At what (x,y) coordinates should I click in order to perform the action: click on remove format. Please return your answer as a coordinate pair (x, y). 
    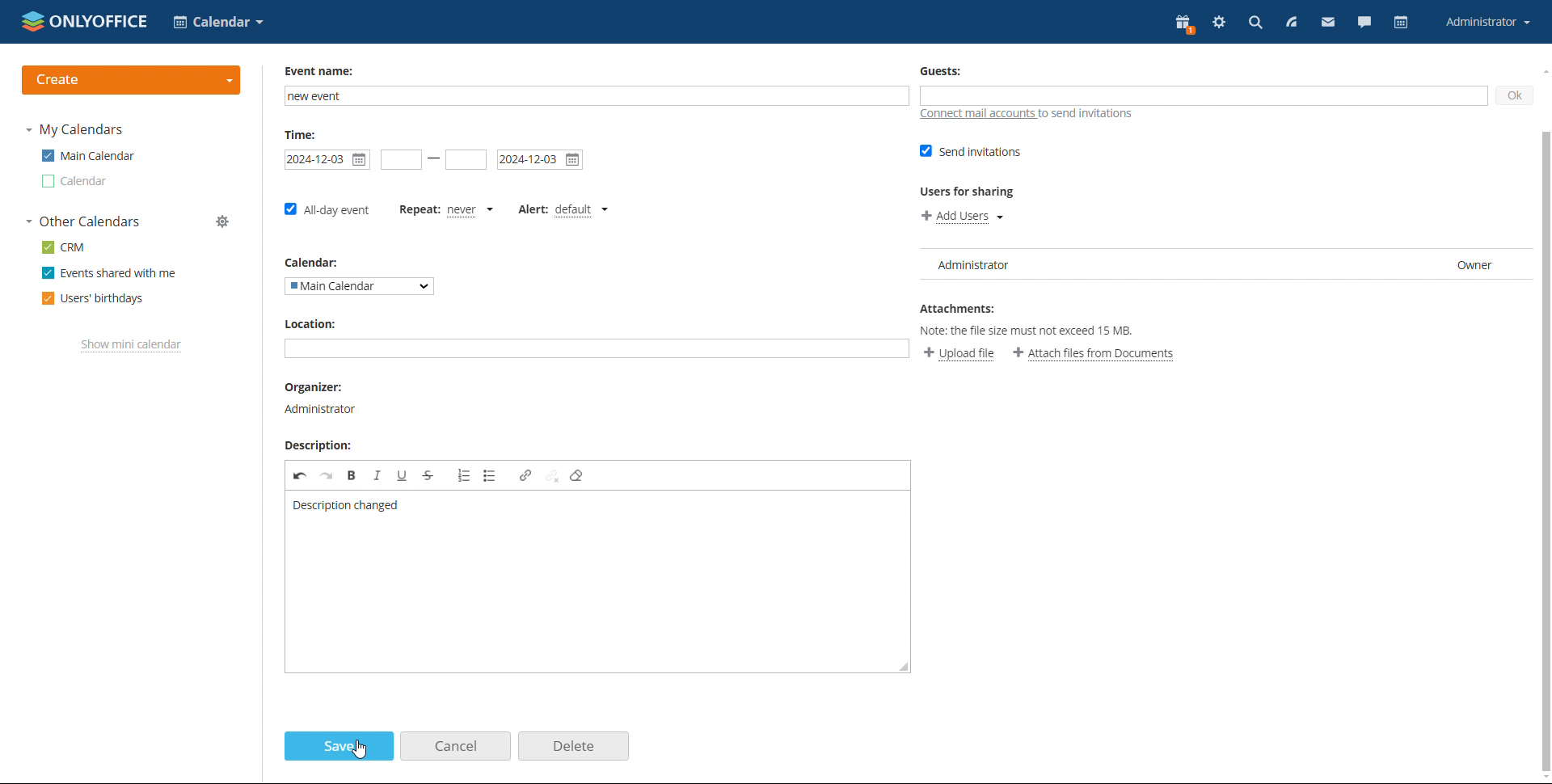
    Looking at the image, I should click on (580, 478).